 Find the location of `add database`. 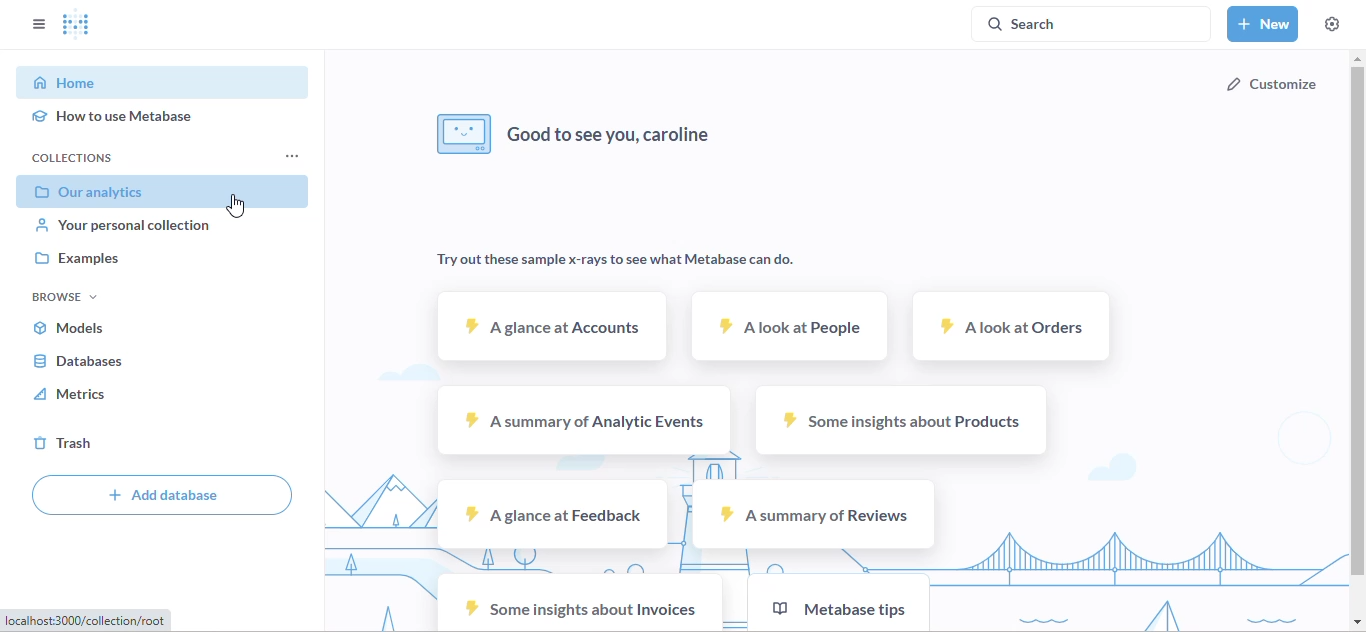

add database is located at coordinates (162, 494).